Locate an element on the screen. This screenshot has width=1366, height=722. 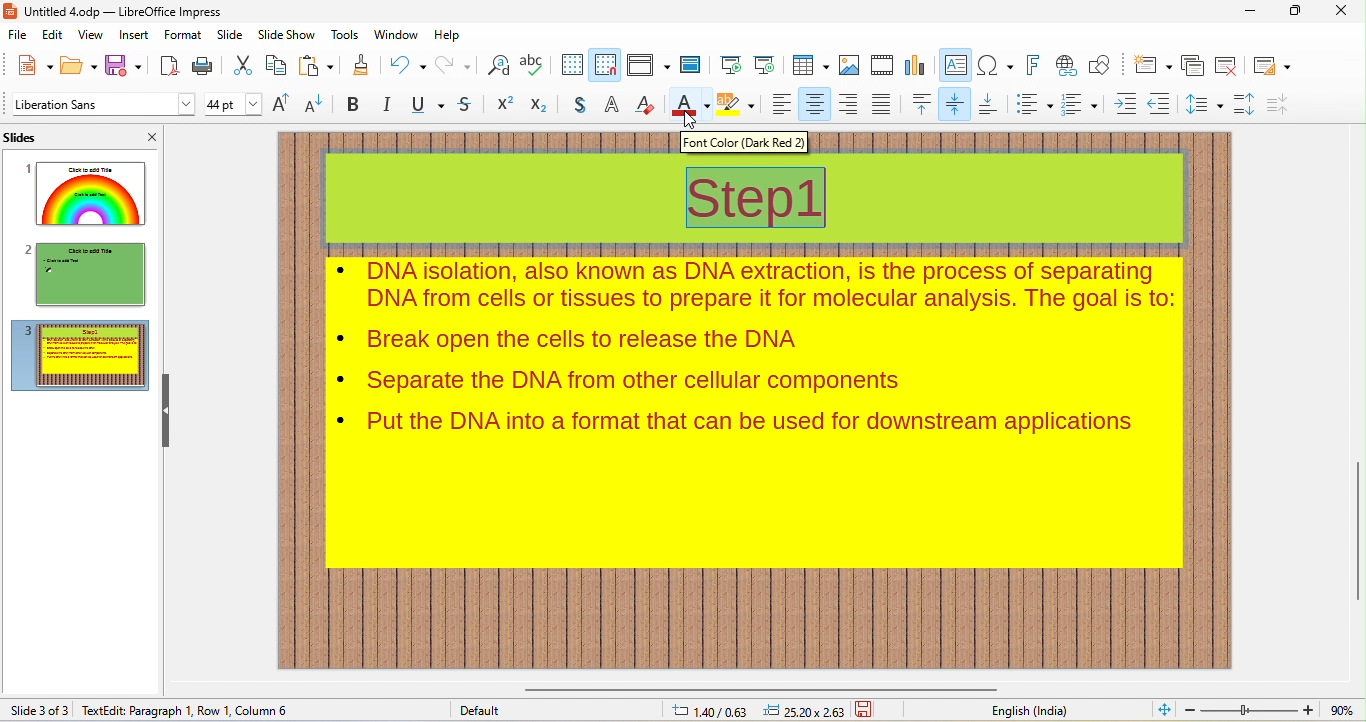
edit is located at coordinates (52, 36).